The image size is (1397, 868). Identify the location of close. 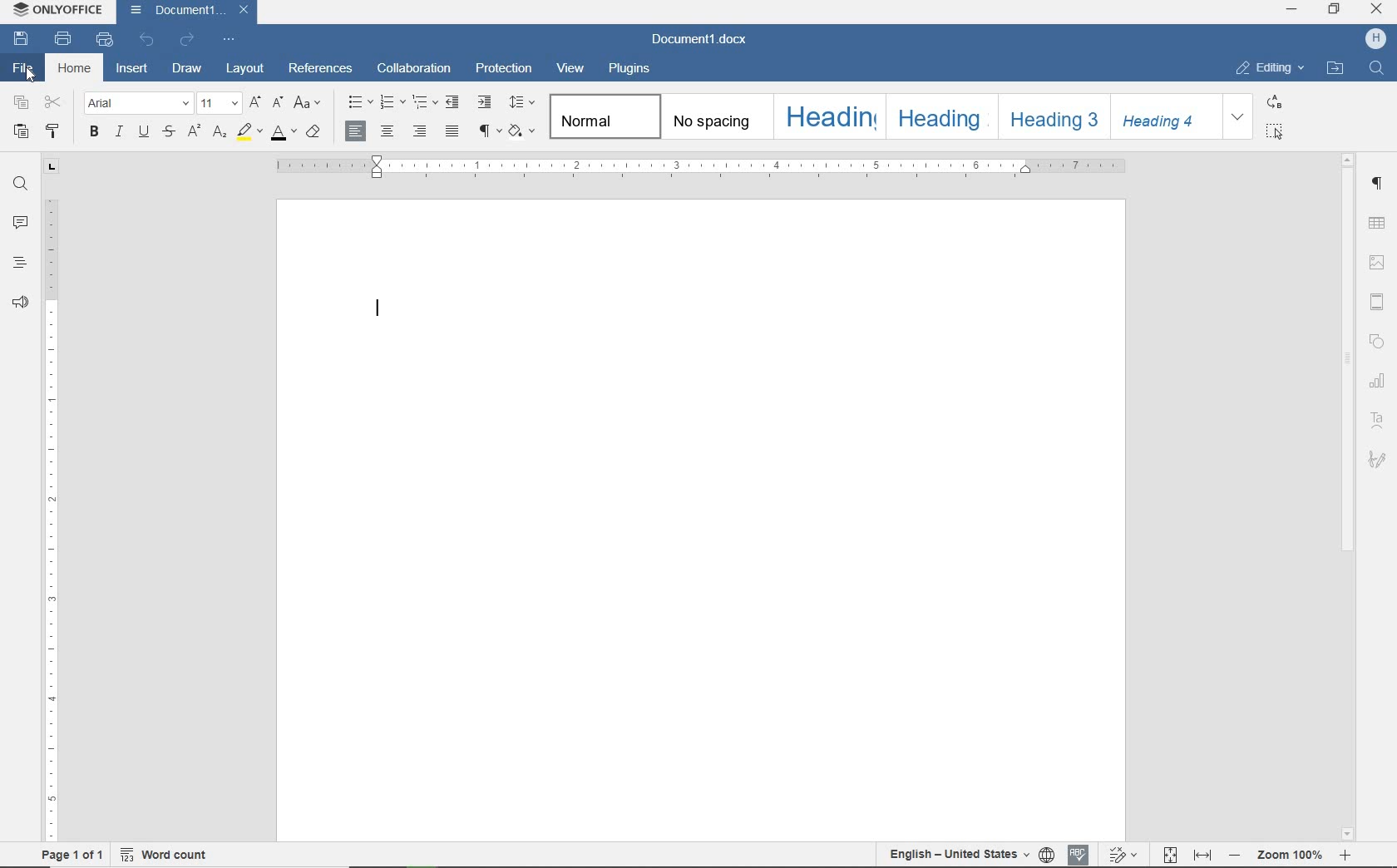
(1376, 11).